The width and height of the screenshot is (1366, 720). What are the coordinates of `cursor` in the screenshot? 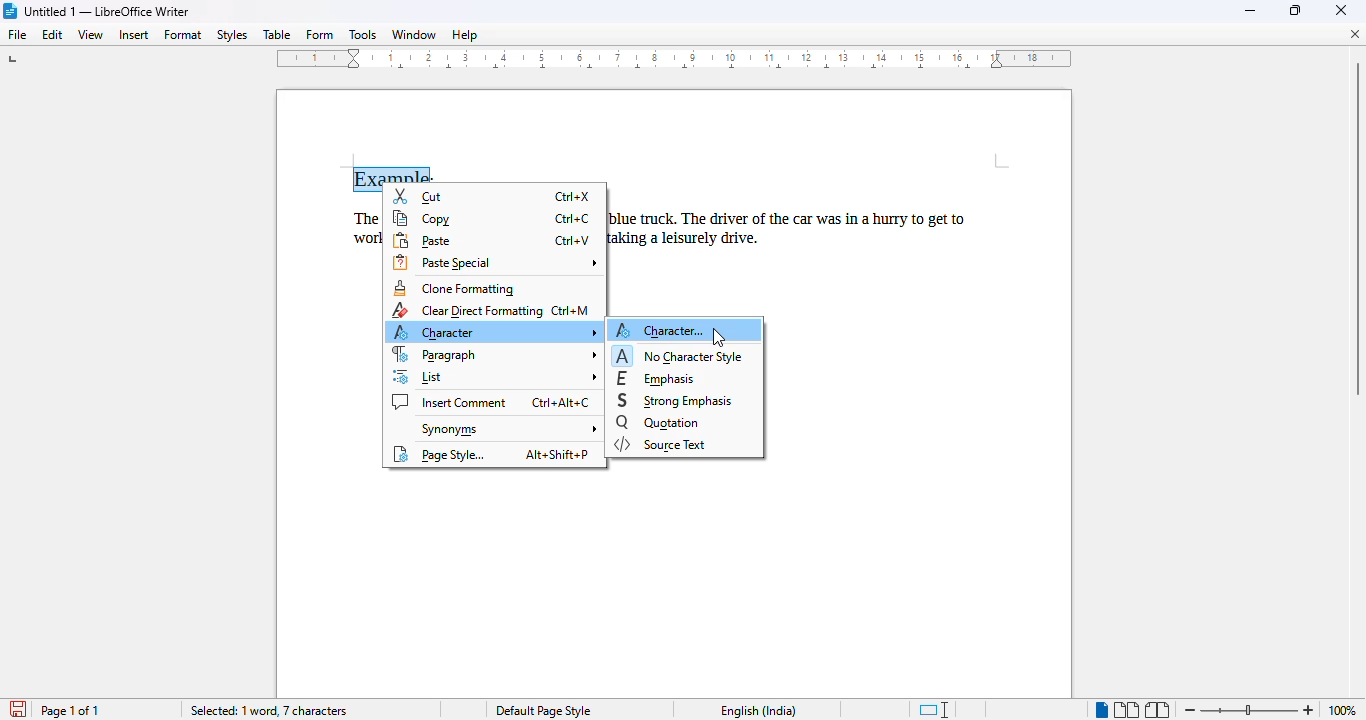 It's located at (718, 338).